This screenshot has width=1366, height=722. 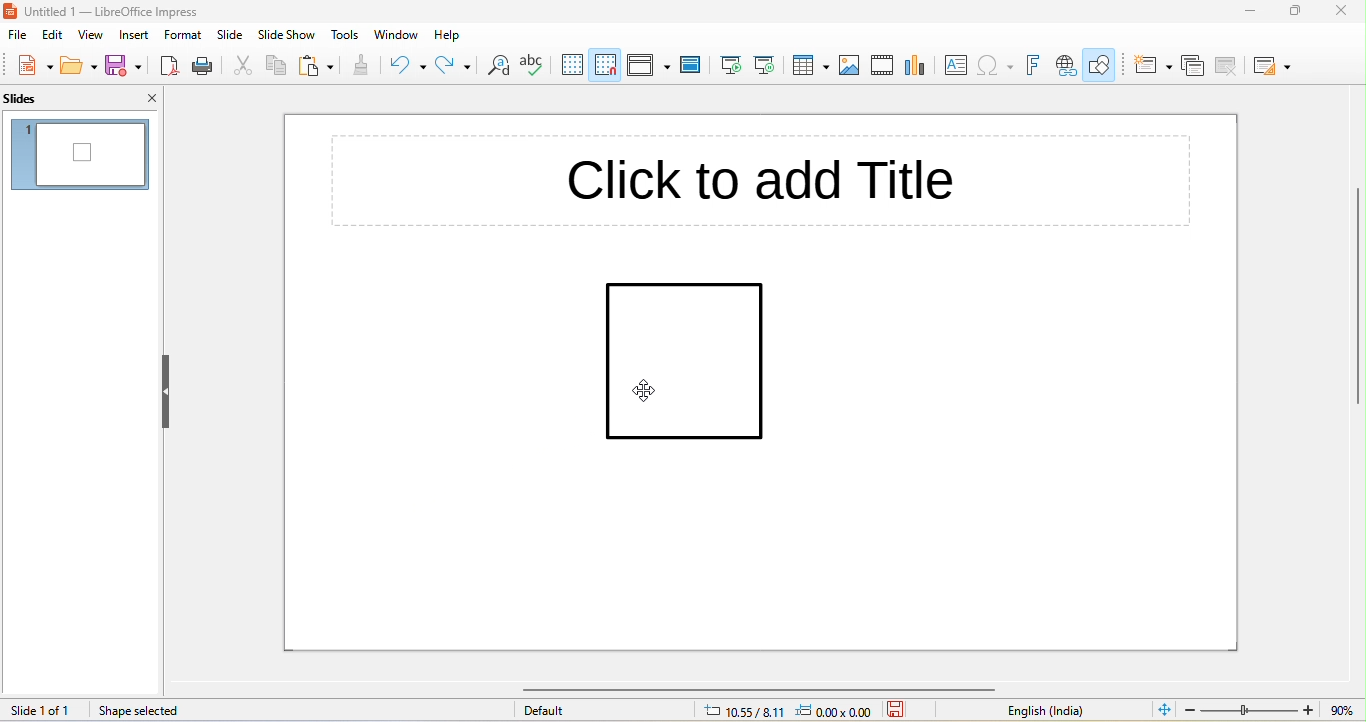 What do you see at coordinates (1102, 64) in the screenshot?
I see `show draw functions` at bounding box center [1102, 64].